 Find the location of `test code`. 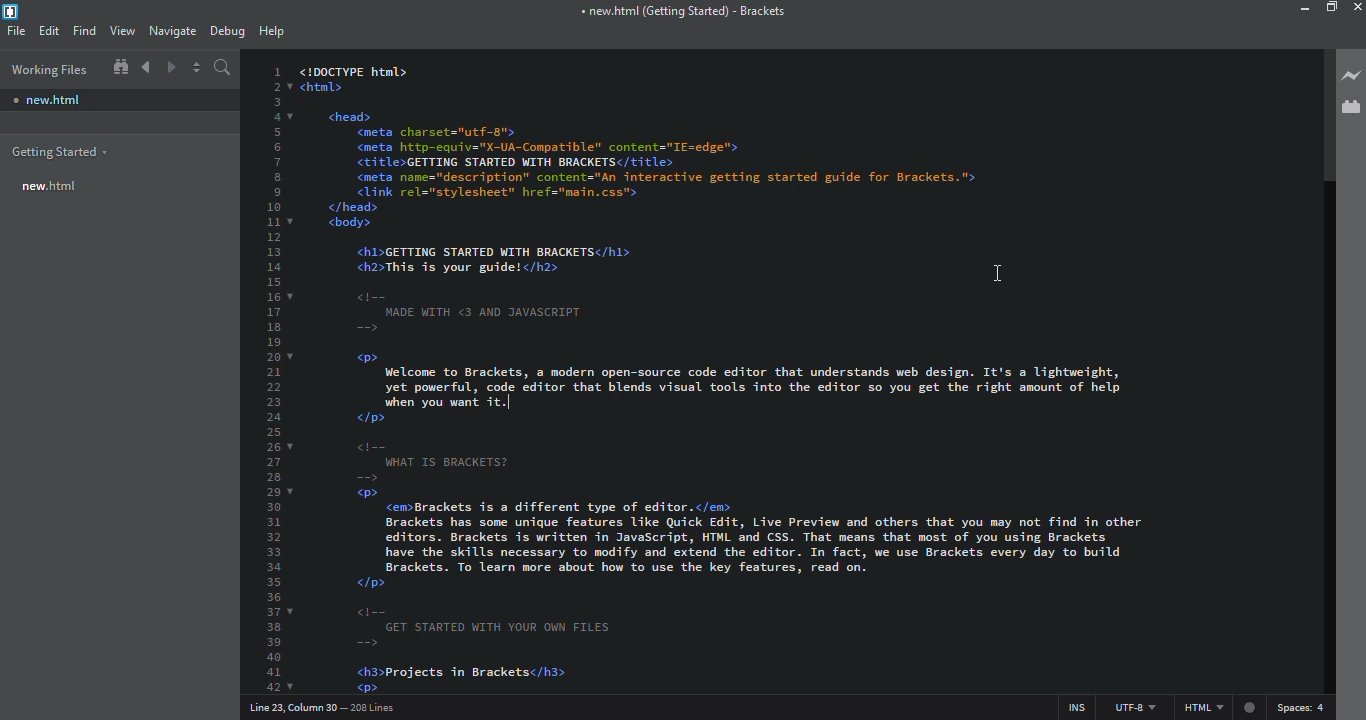

test code is located at coordinates (796, 148).